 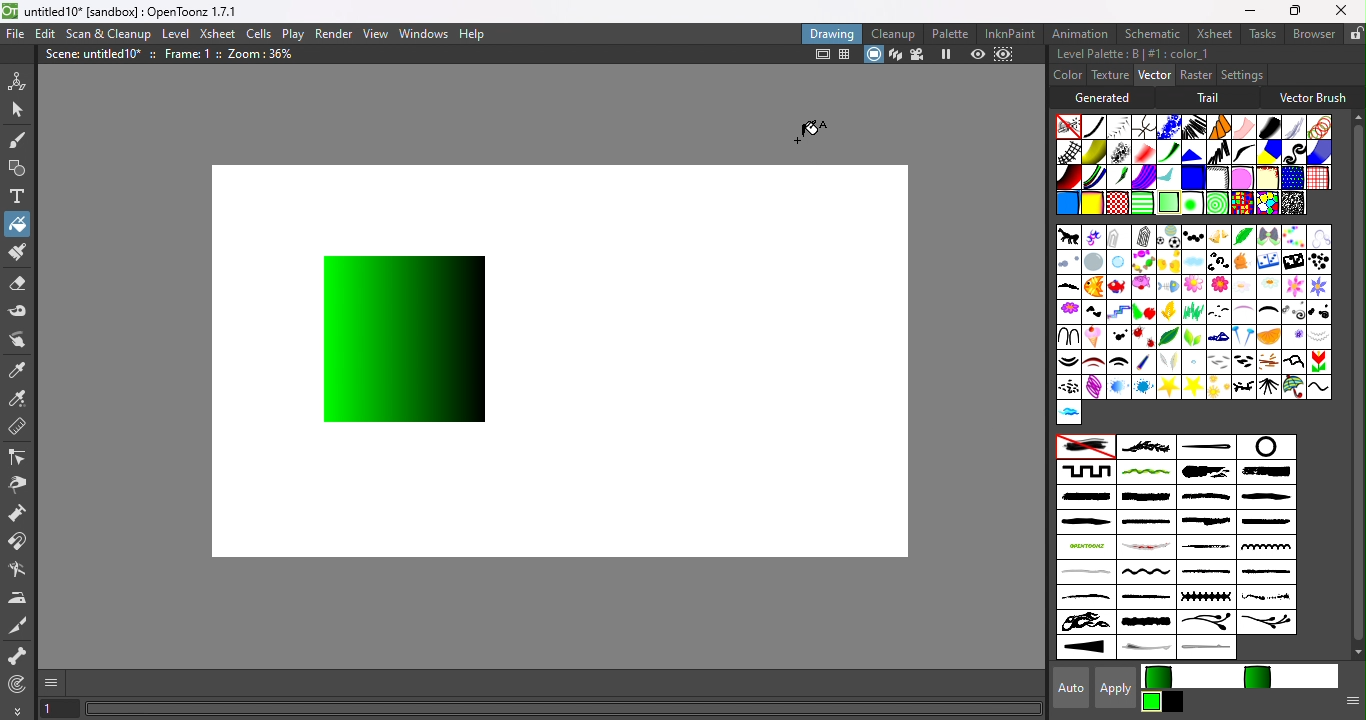 What do you see at coordinates (1261, 34) in the screenshot?
I see `Tasks` at bounding box center [1261, 34].